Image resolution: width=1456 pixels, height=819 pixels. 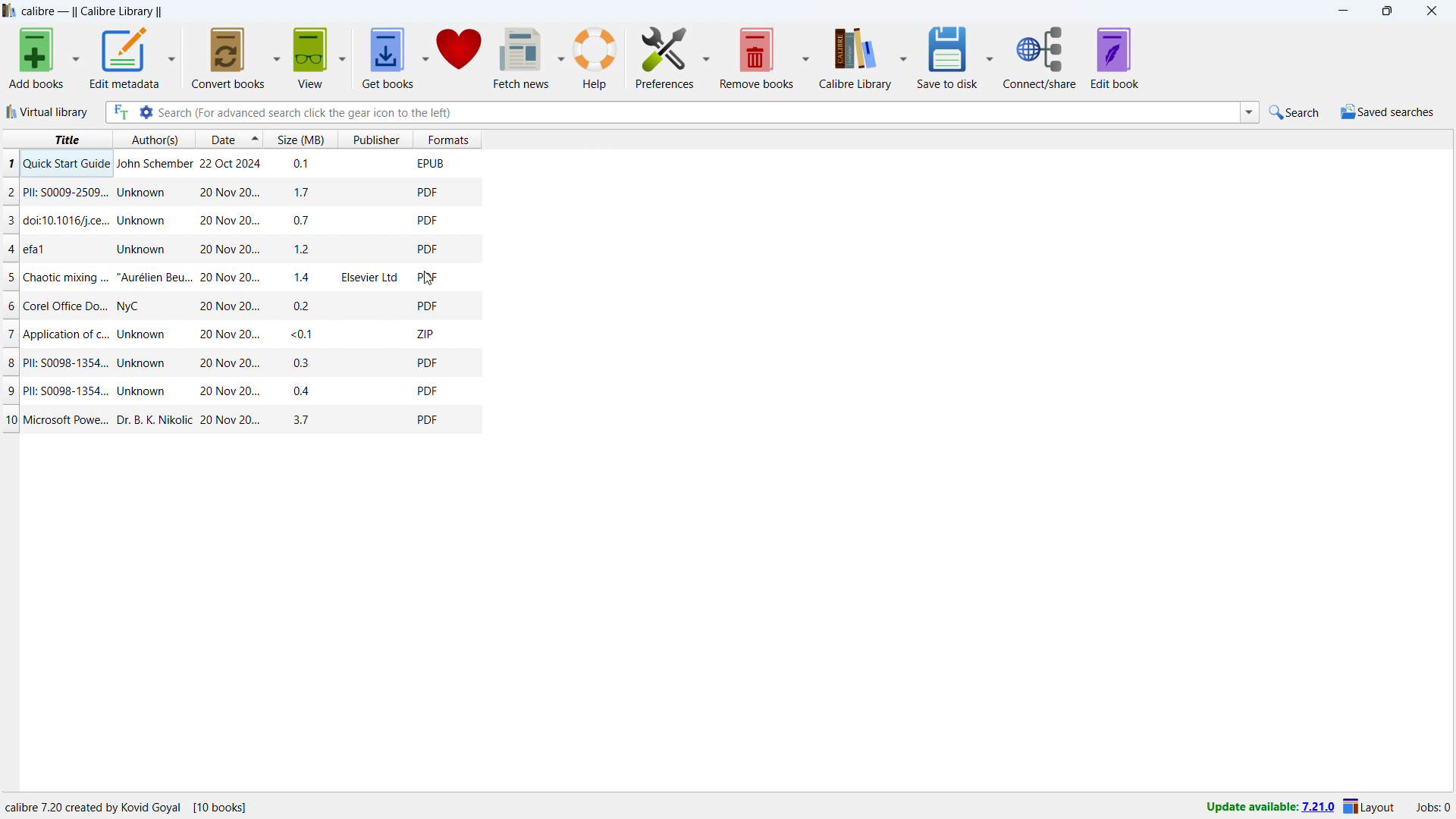 What do you see at coordinates (707, 58) in the screenshot?
I see `preferences` at bounding box center [707, 58].